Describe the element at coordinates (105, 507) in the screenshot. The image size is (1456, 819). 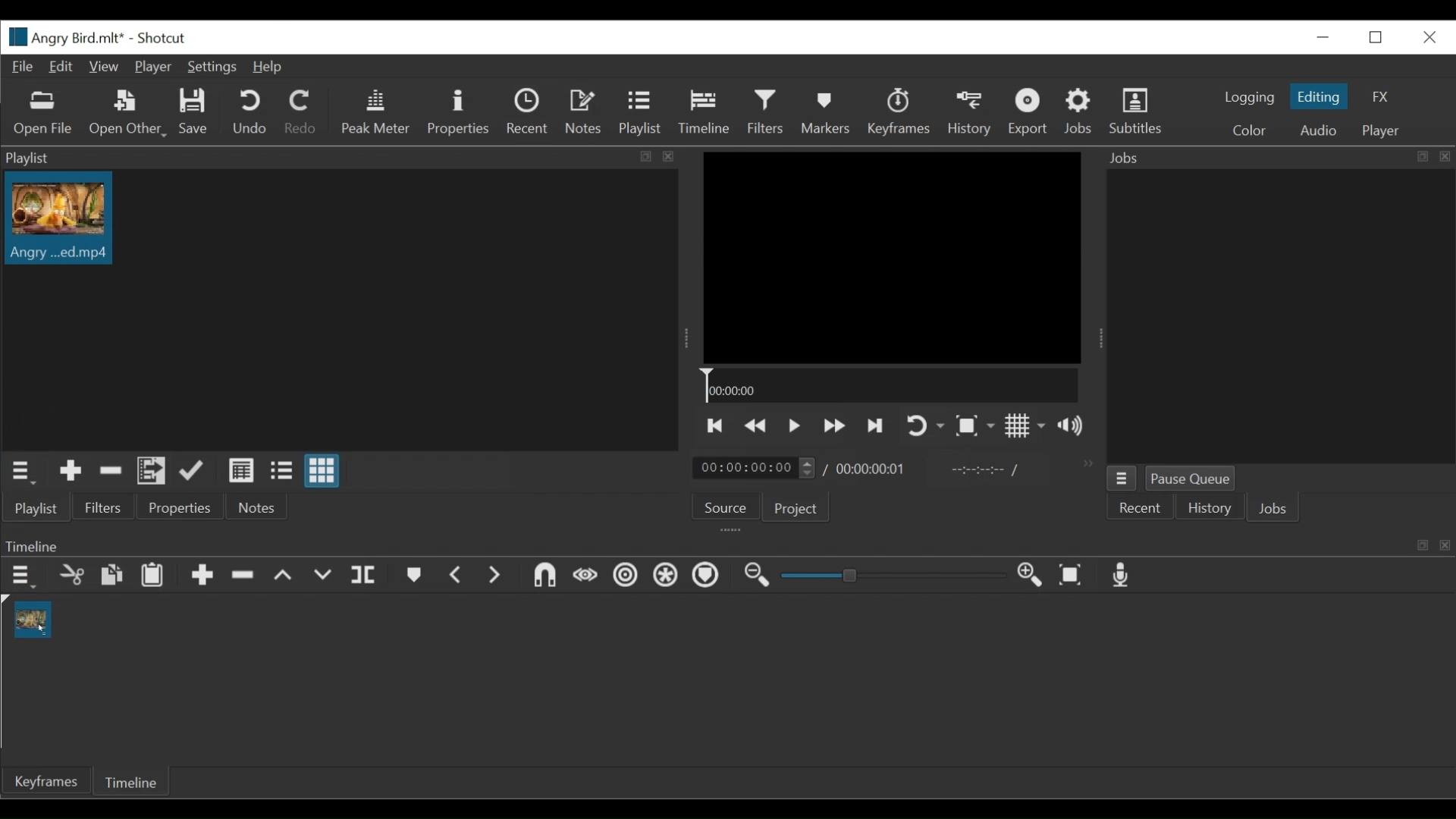
I see `Filters` at that location.